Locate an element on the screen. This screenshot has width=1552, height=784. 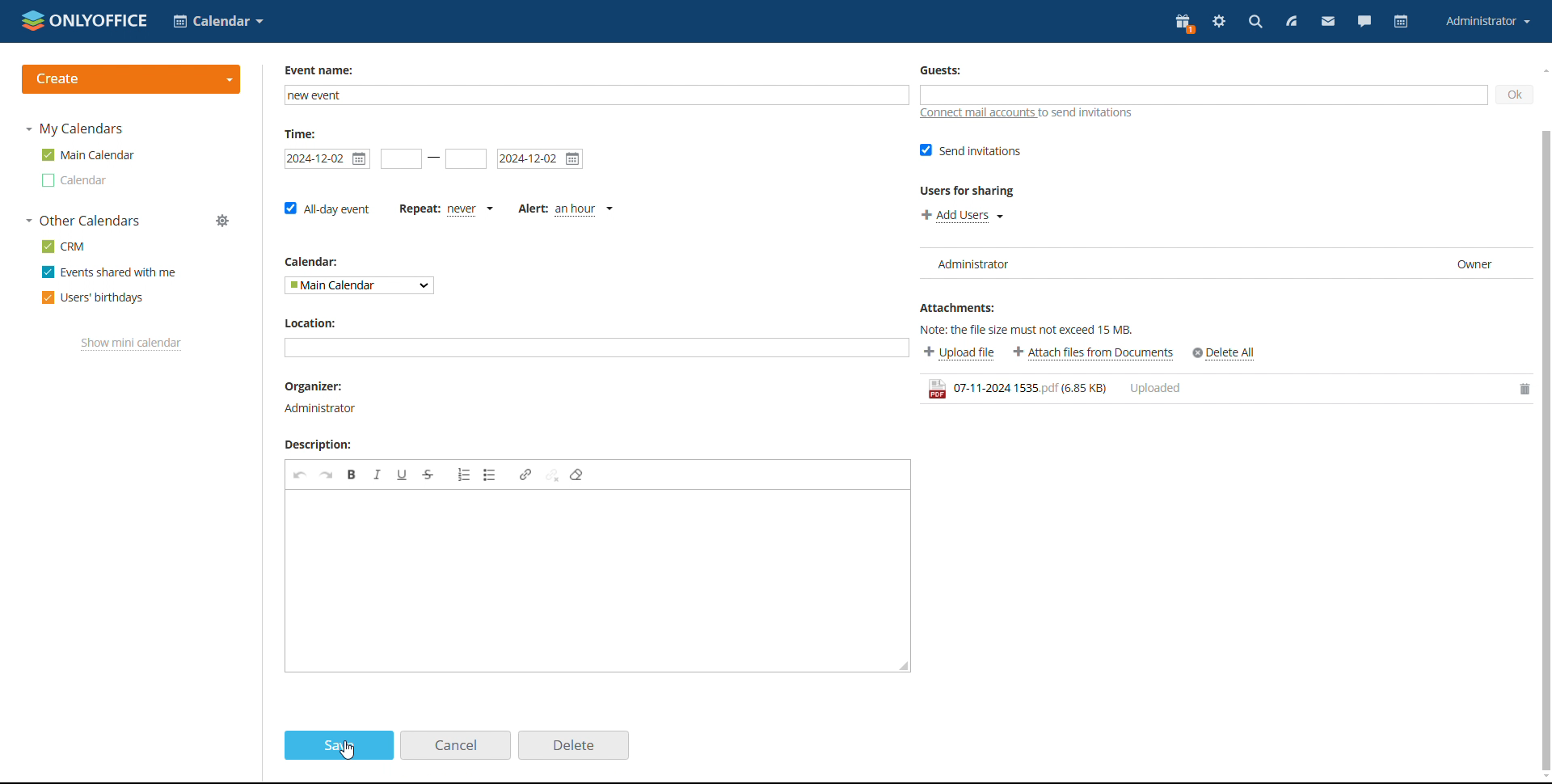
other calendars is located at coordinates (82, 221).